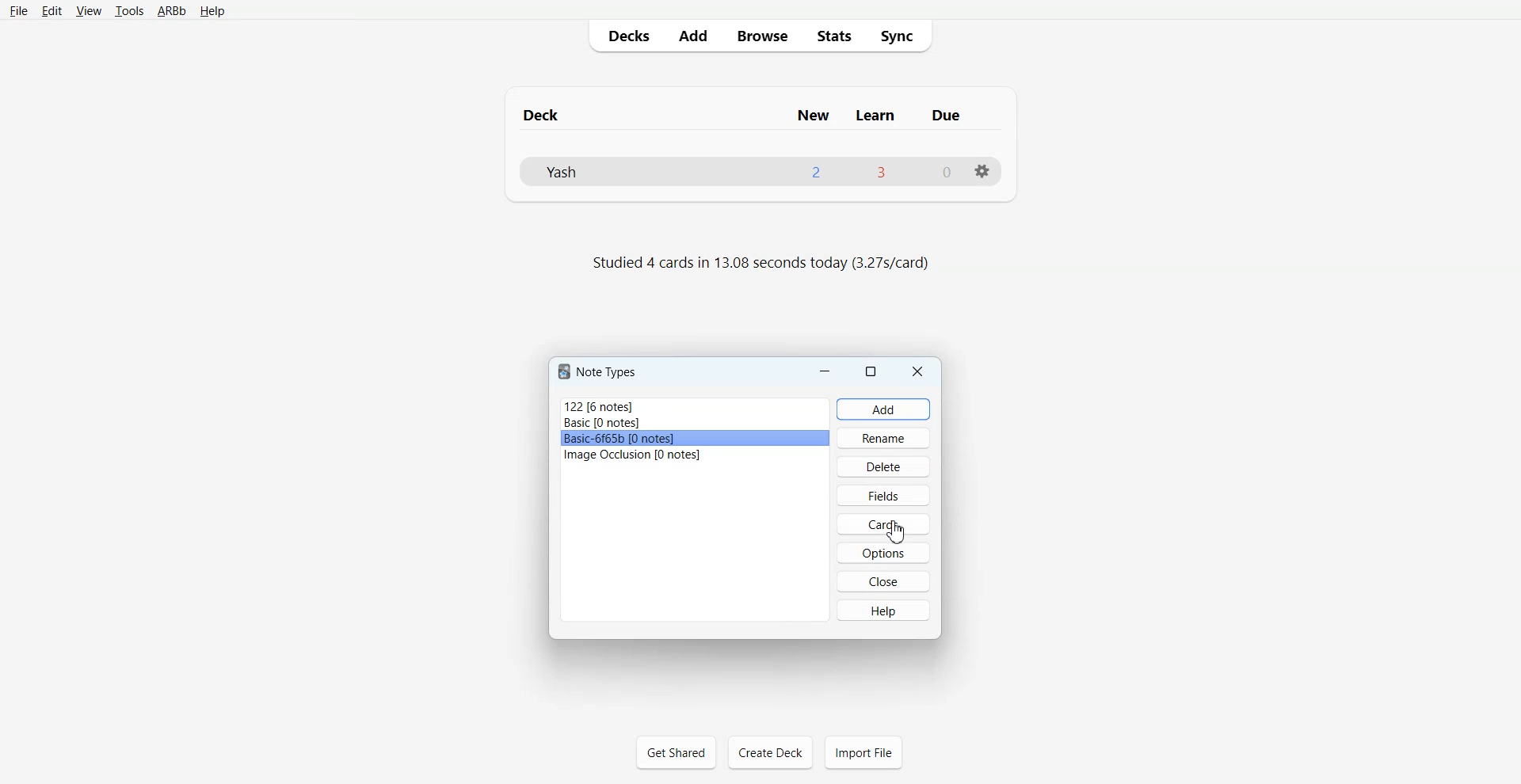 The image size is (1521, 784). What do you see at coordinates (695, 455) in the screenshot?
I see `Image Occlusion` at bounding box center [695, 455].